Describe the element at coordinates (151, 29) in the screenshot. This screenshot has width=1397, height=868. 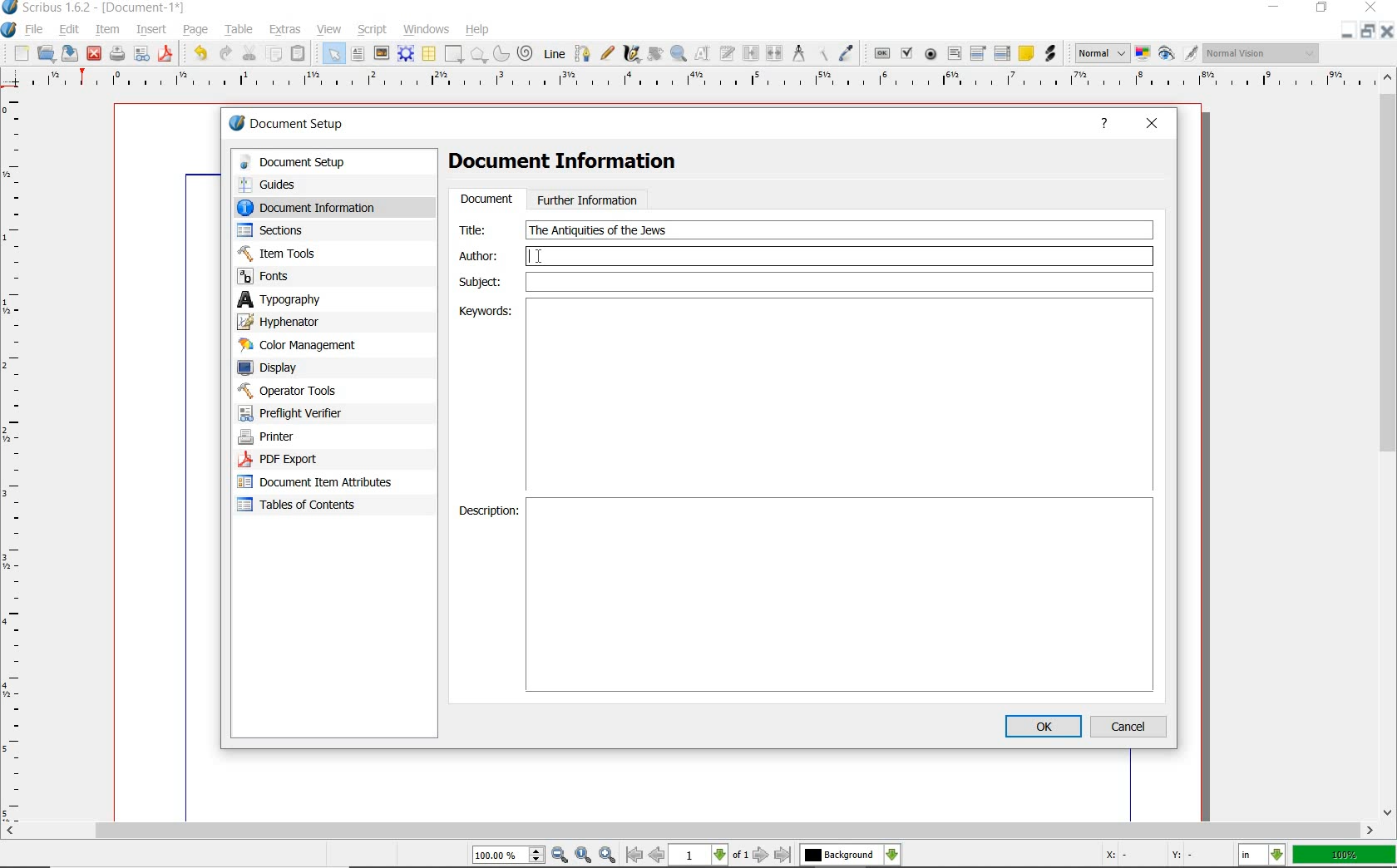
I see `insert` at that location.